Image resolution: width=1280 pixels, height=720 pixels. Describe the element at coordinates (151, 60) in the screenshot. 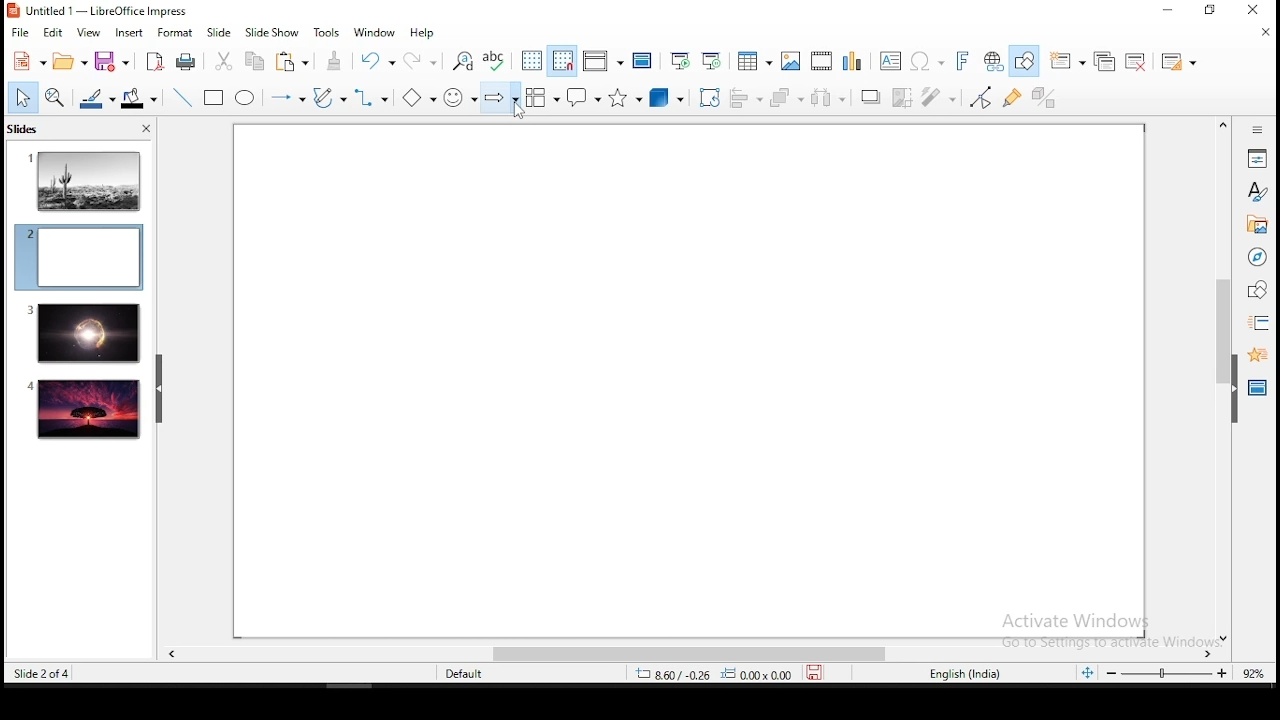

I see `export as pdf` at that location.